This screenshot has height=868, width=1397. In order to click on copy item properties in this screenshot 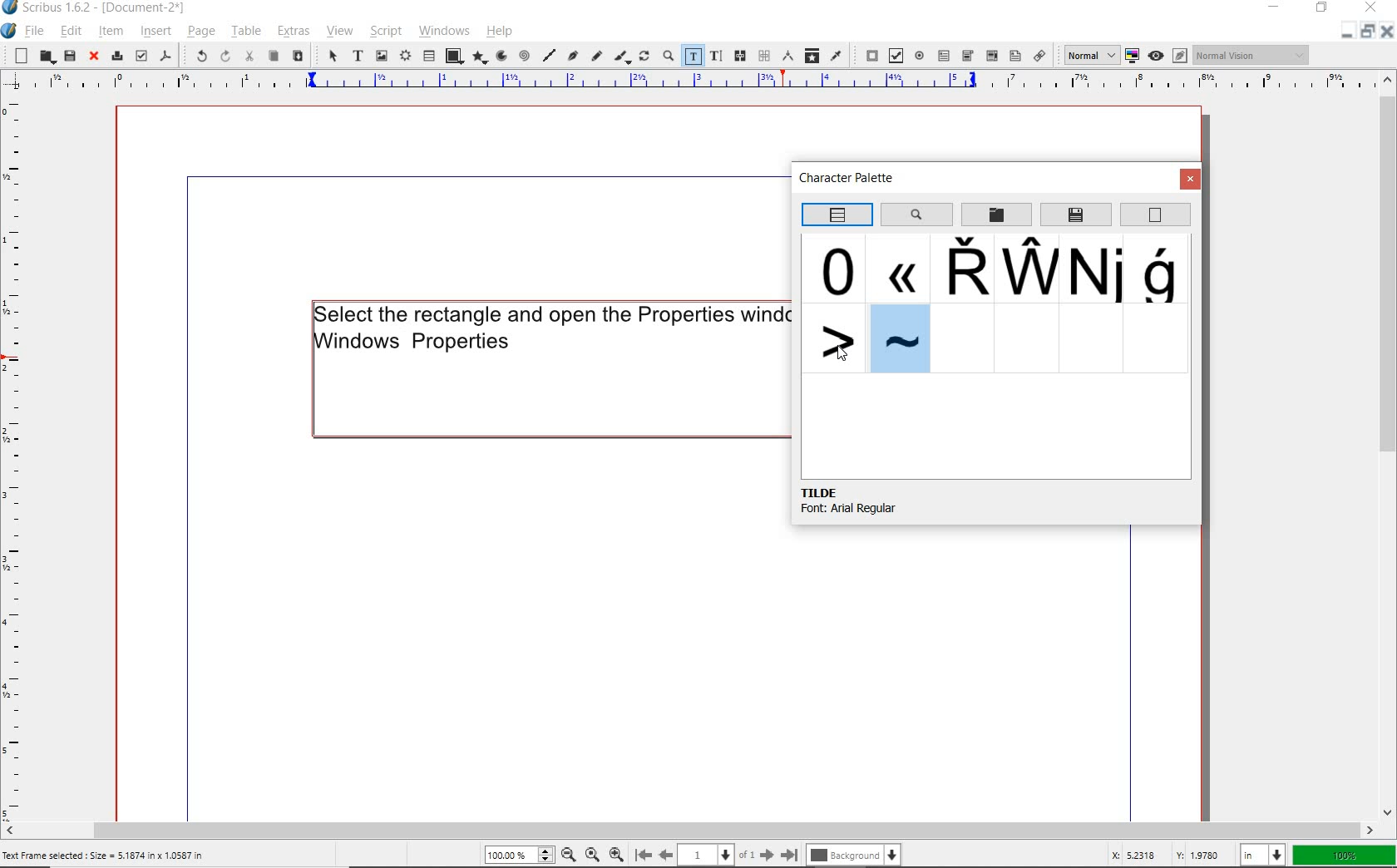, I will do `click(812, 55)`.